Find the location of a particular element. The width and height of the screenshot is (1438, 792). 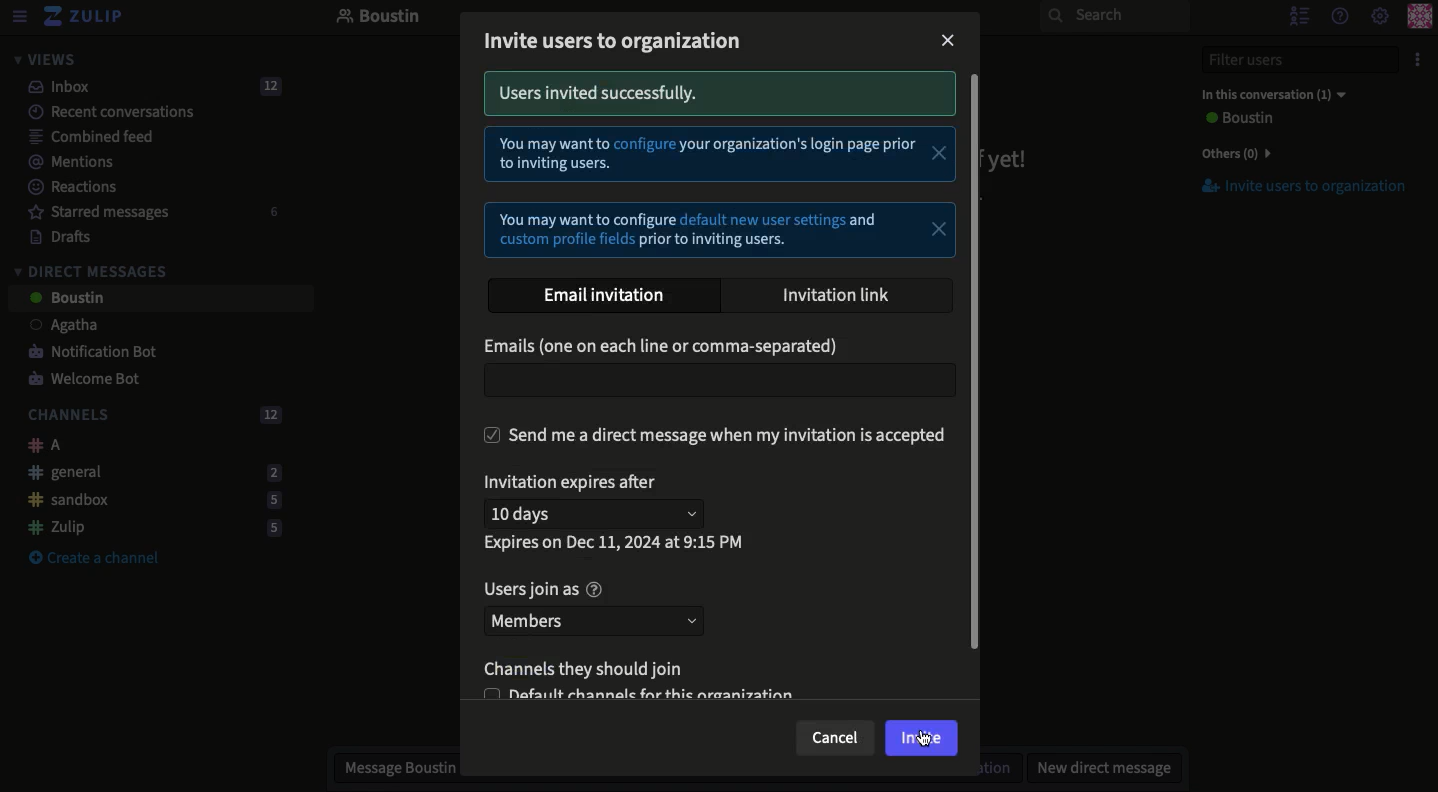

Email  is located at coordinates (668, 346).